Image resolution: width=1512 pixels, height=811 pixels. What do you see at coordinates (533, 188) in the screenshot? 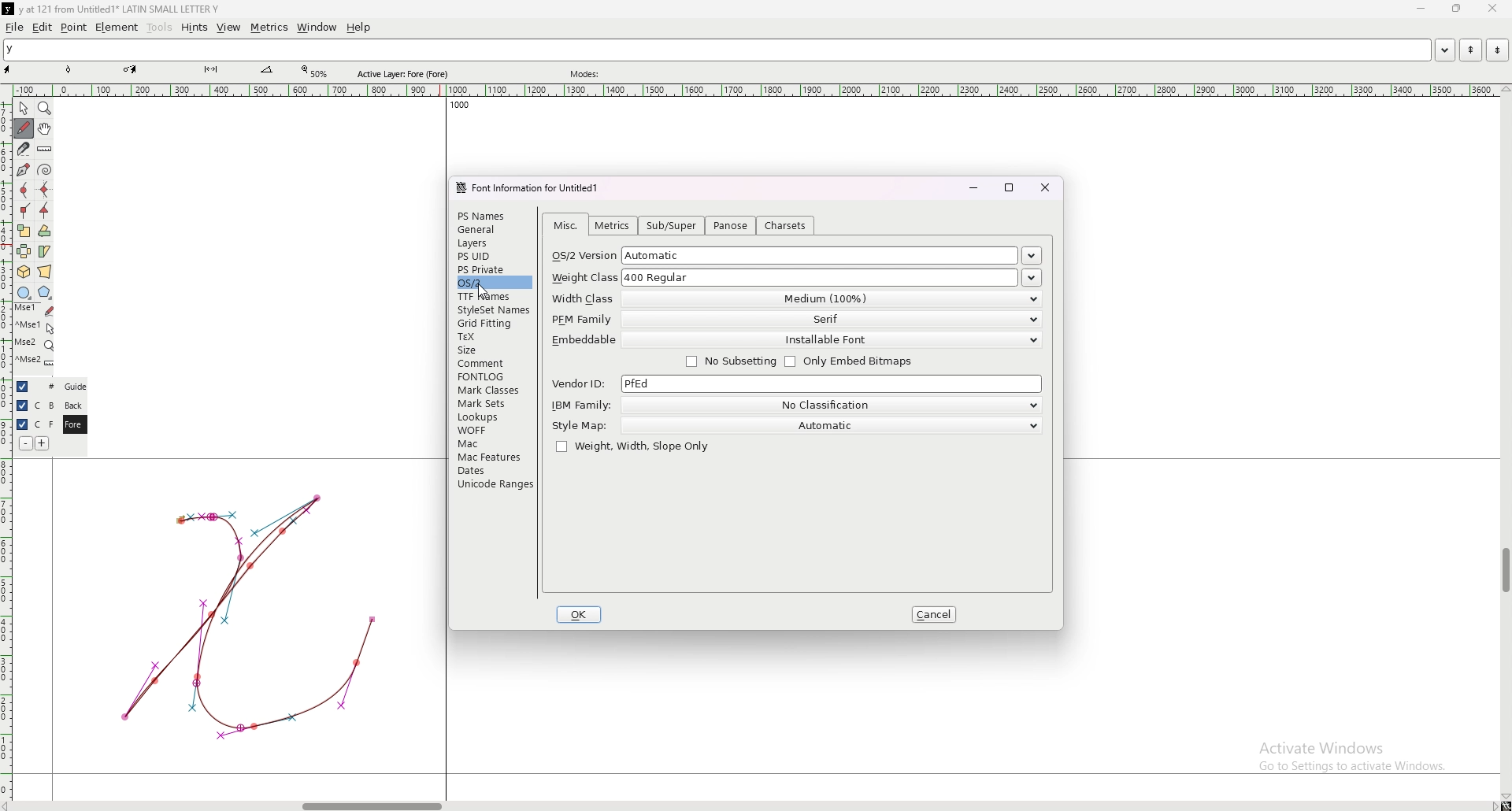
I see `font information for untitled1` at bounding box center [533, 188].